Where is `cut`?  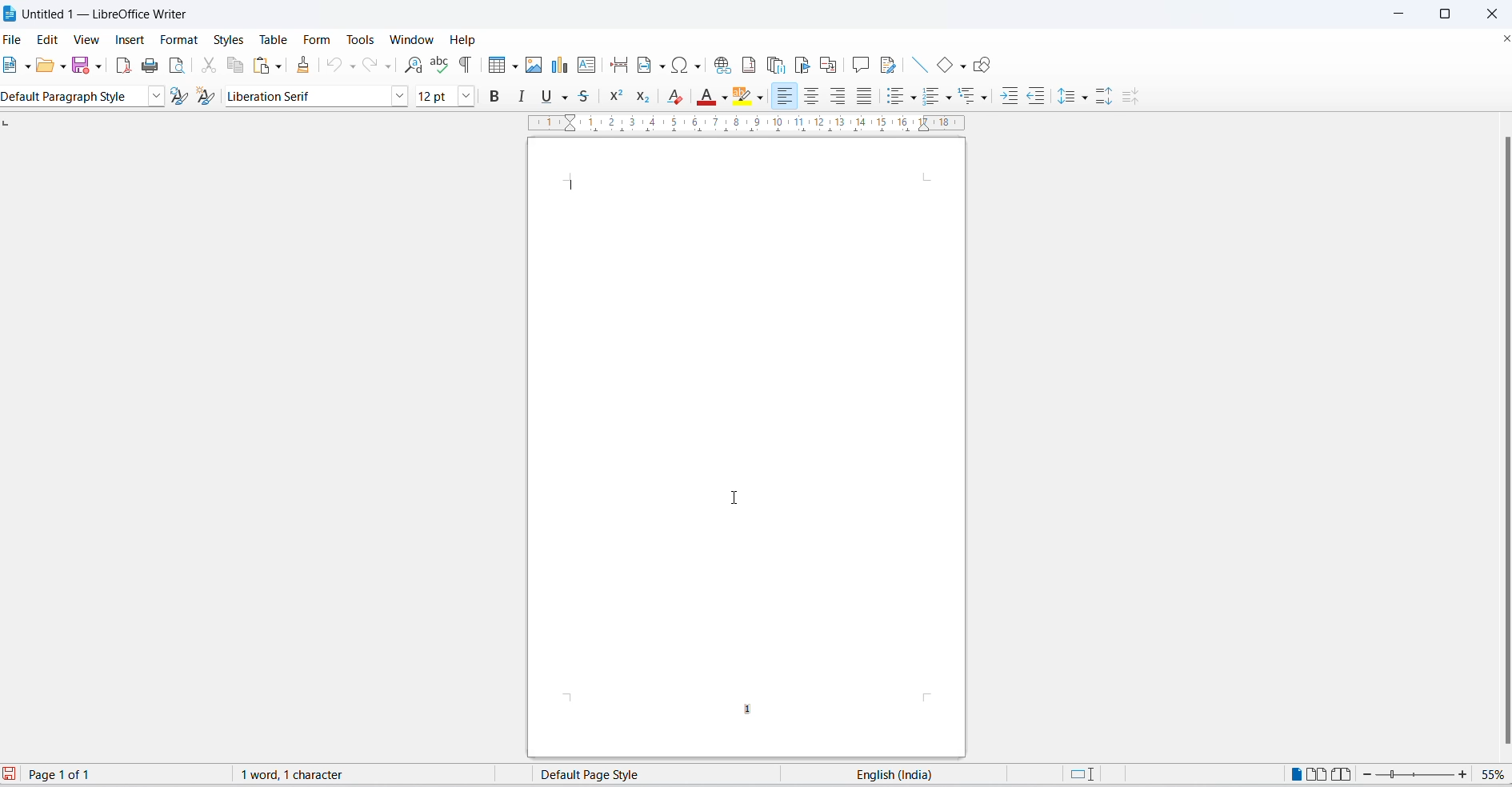
cut is located at coordinates (210, 66).